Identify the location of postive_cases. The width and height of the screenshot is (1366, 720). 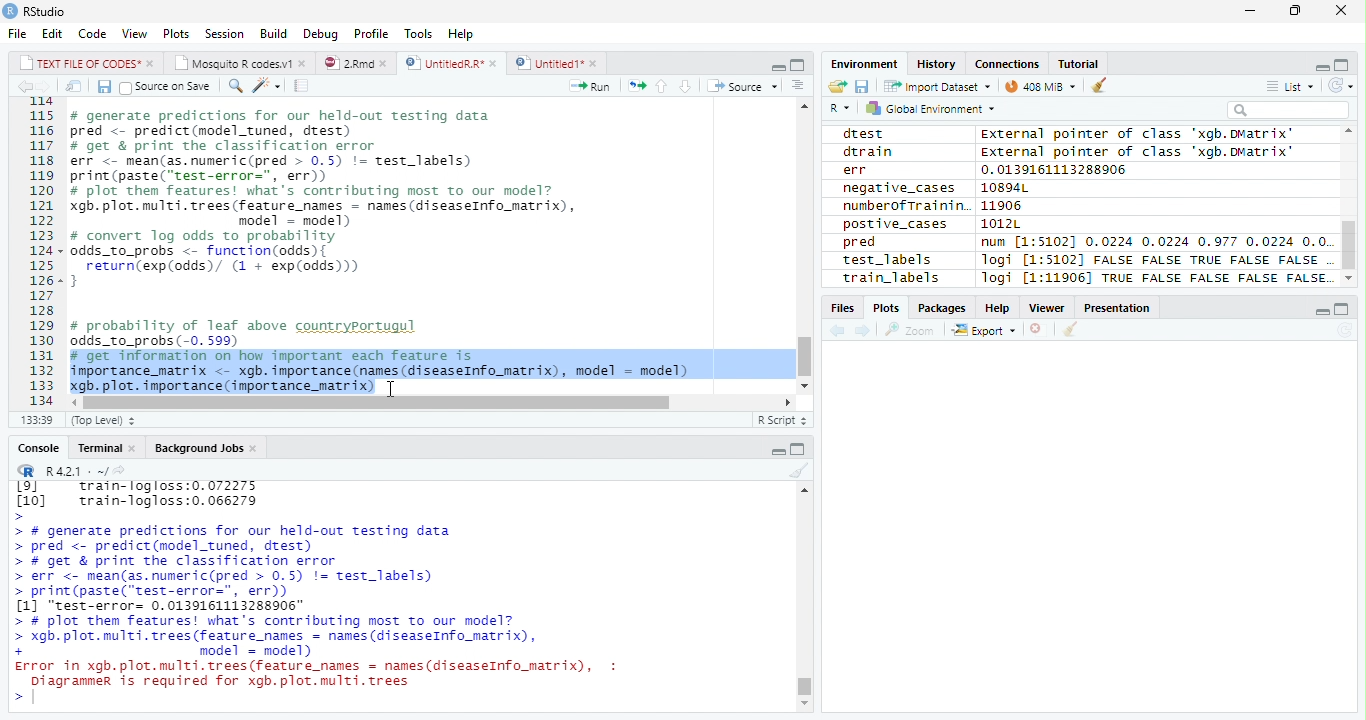
(894, 224).